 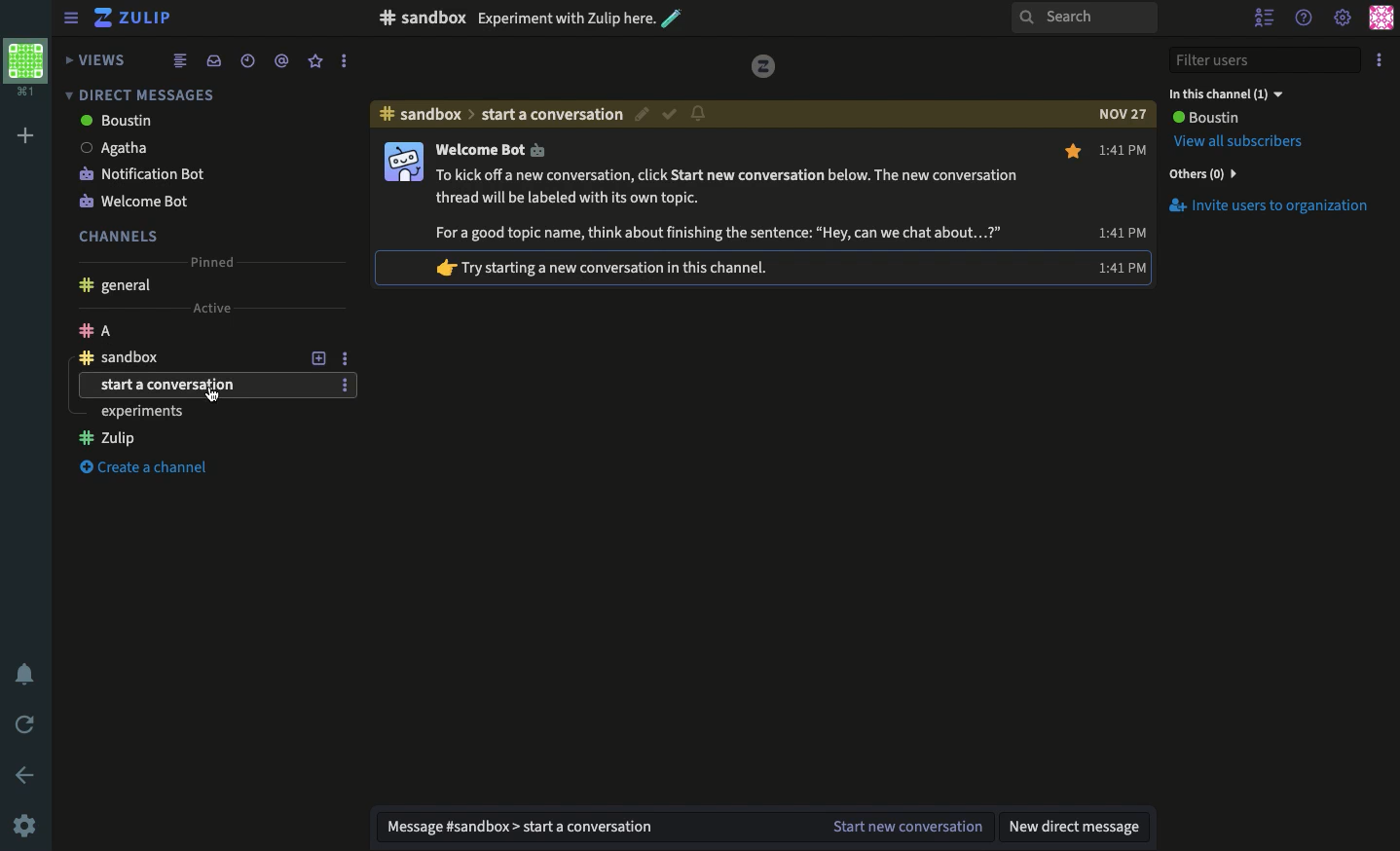 What do you see at coordinates (764, 66) in the screenshot?
I see `zulip logo` at bounding box center [764, 66].